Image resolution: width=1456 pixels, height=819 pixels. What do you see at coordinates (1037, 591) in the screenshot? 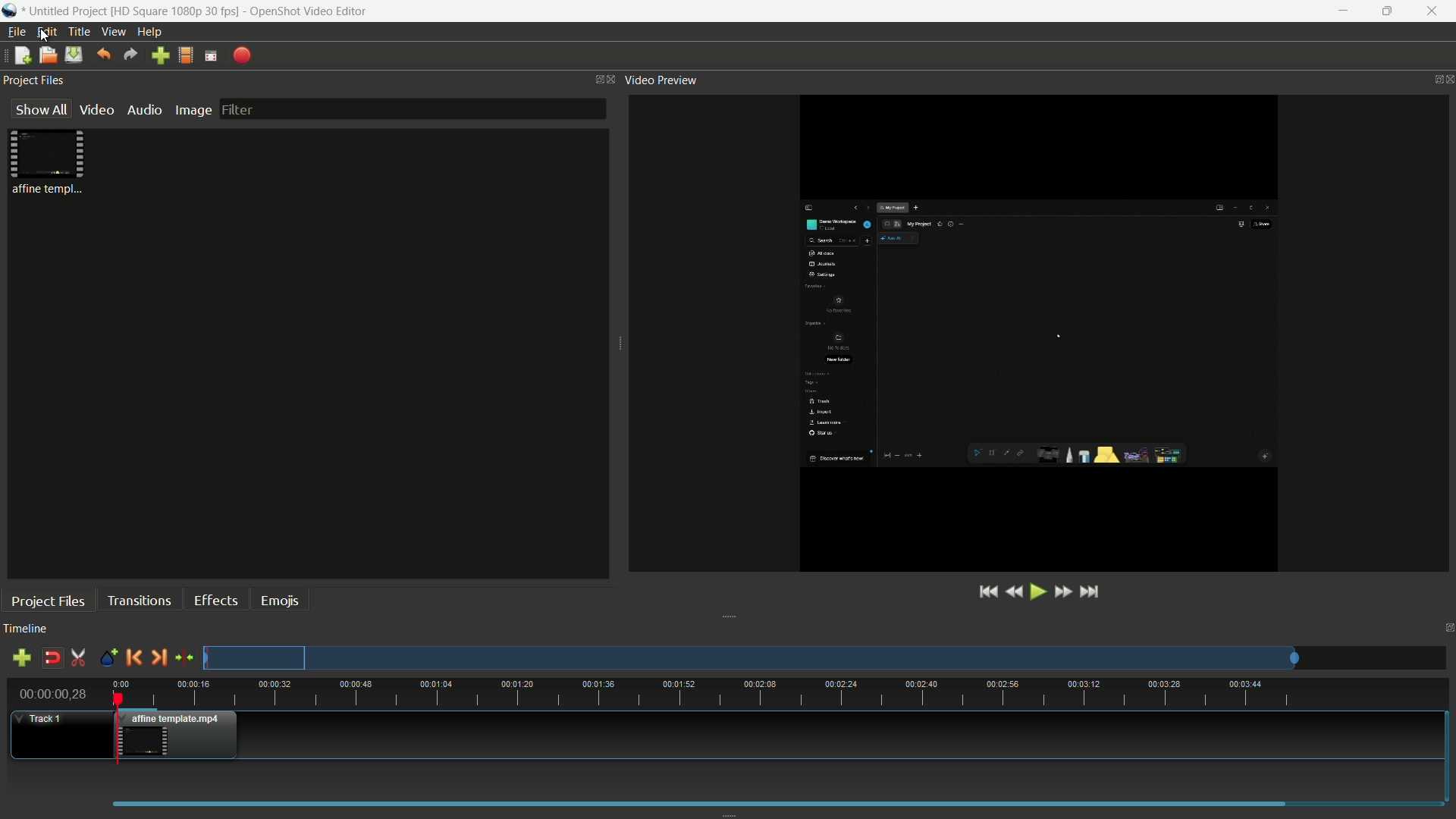
I see `play or pause` at bounding box center [1037, 591].